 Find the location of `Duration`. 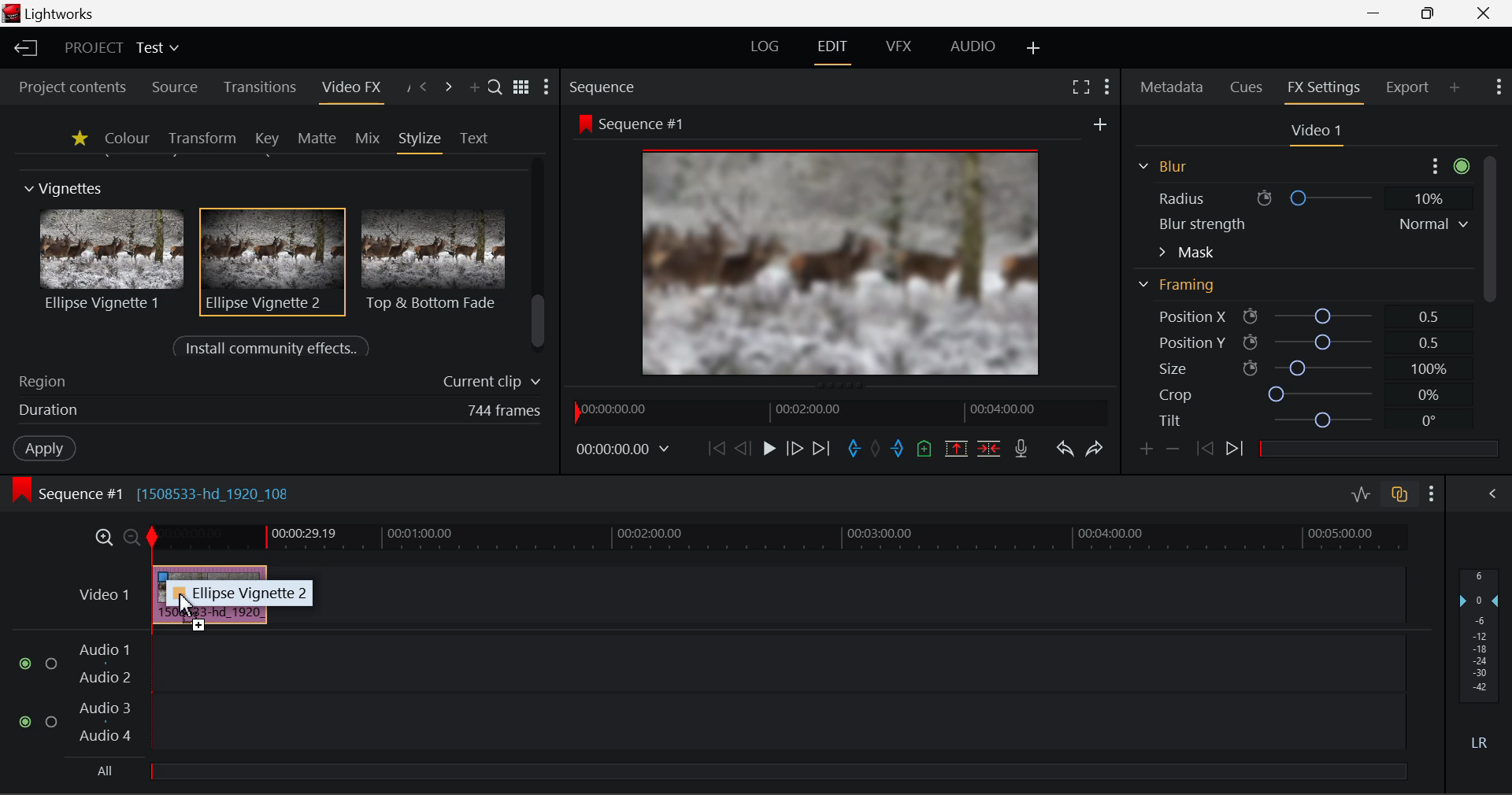

Duration is located at coordinates (276, 412).